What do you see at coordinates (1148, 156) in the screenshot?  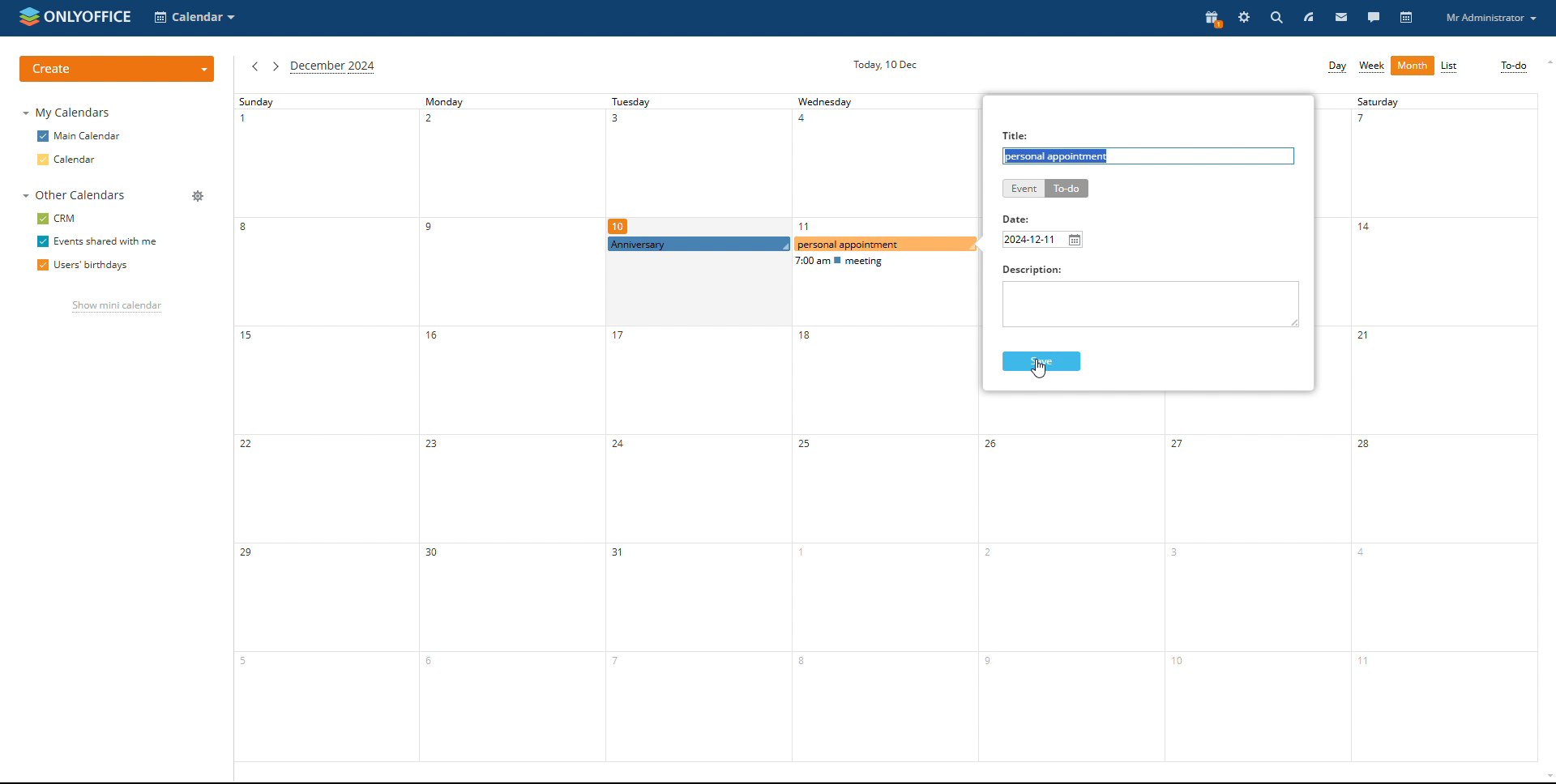 I see `to-do title` at bounding box center [1148, 156].